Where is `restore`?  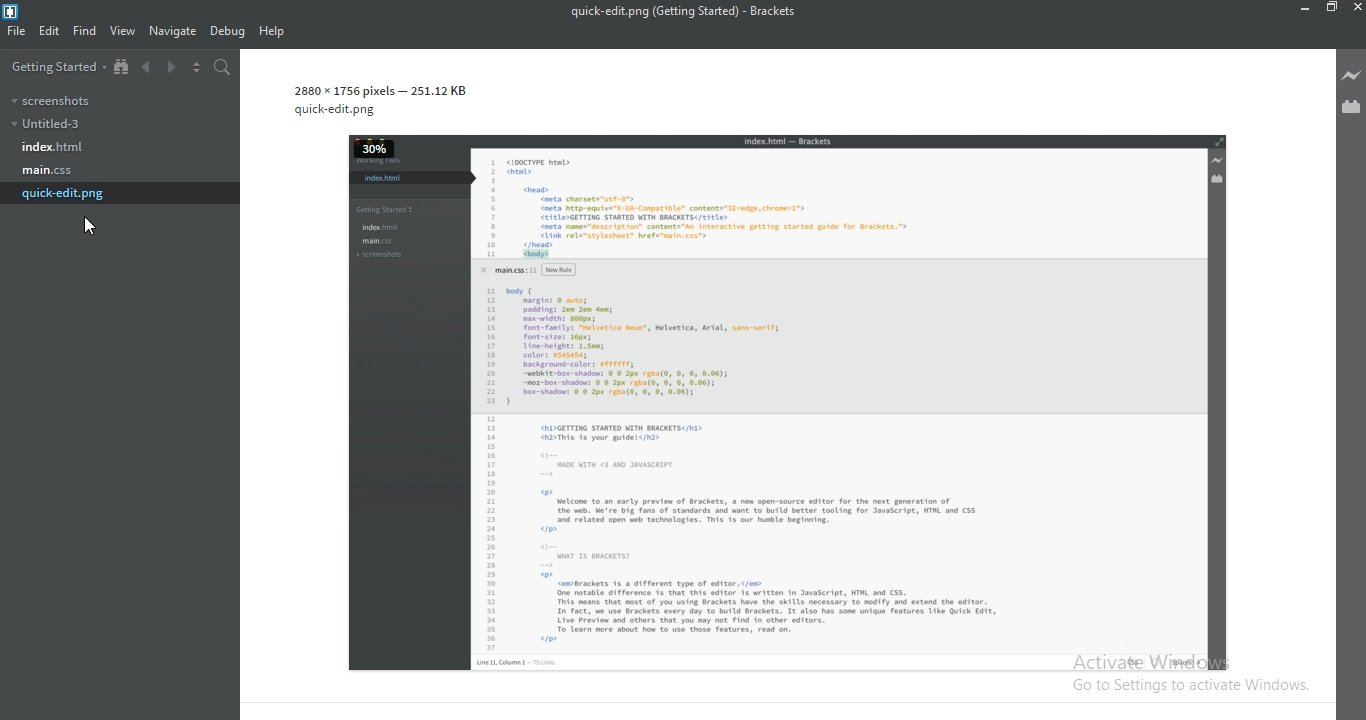 restore is located at coordinates (1331, 8).